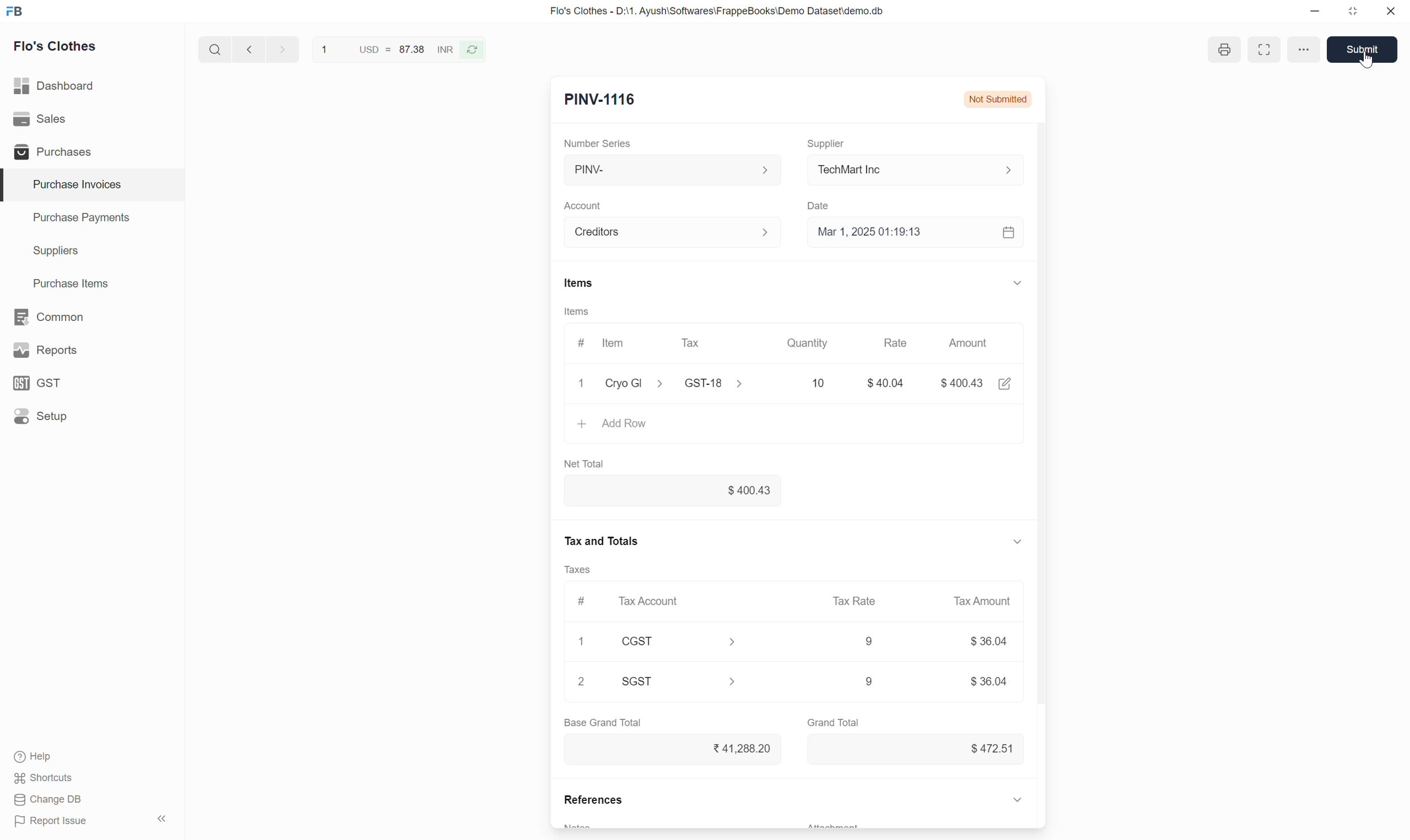  What do you see at coordinates (474, 49) in the screenshot?
I see `refresh ` at bounding box center [474, 49].